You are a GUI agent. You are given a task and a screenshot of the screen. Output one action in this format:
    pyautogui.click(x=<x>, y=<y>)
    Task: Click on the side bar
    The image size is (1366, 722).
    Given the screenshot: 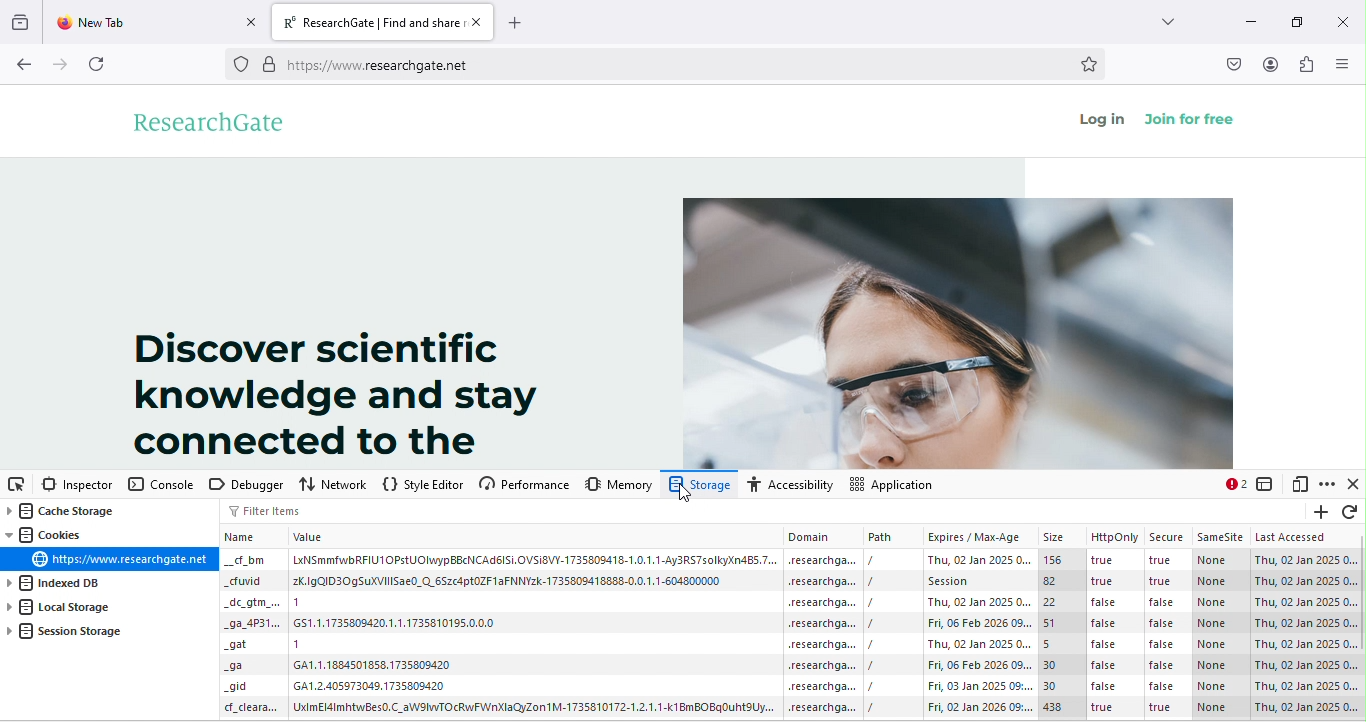 What is the action you would take?
    pyautogui.click(x=1346, y=64)
    